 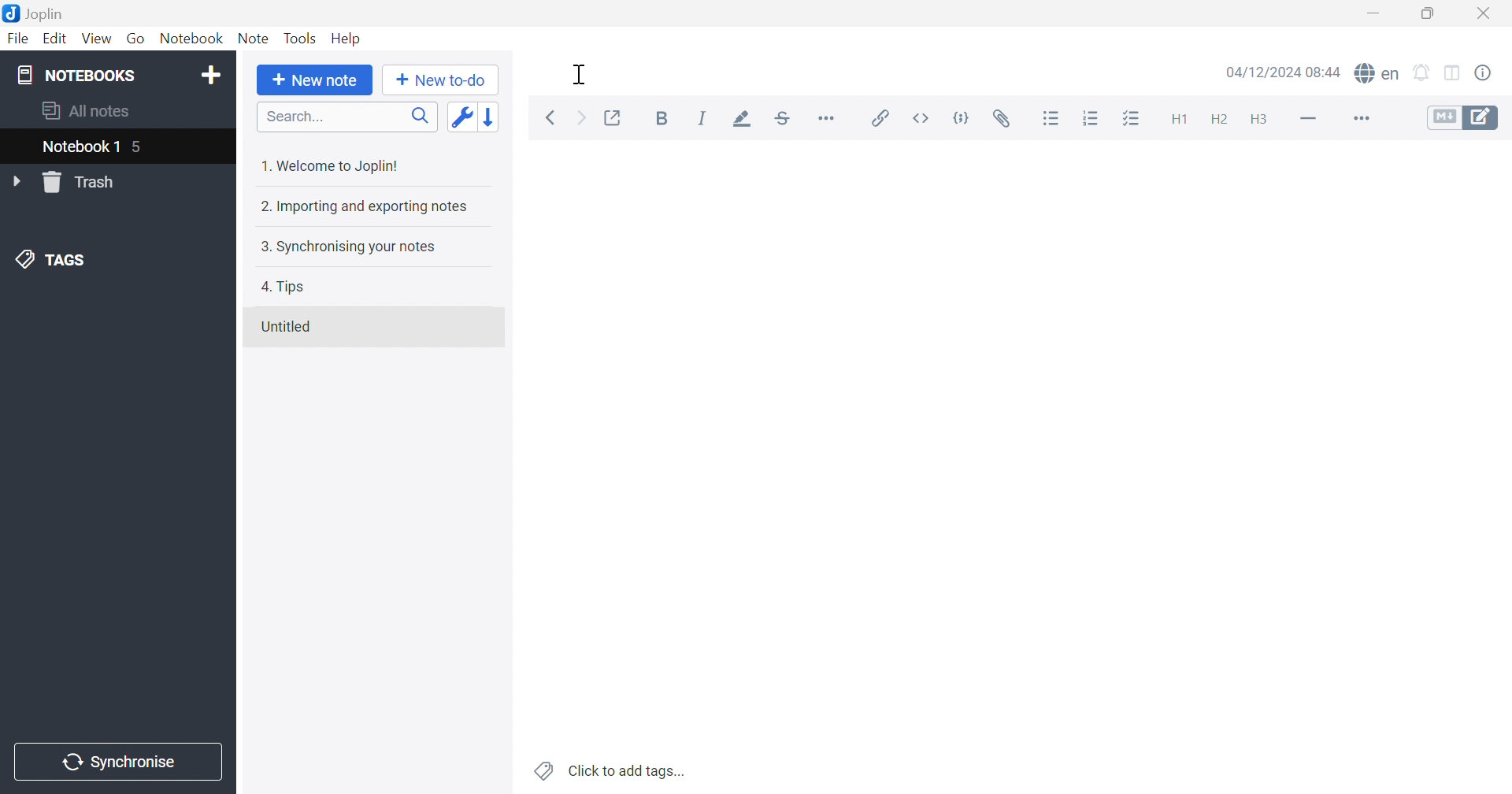 What do you see at coordinates (74, 76) in the screenshot?
I see `NOTEBOOKS` at bounding box center [74, 76].